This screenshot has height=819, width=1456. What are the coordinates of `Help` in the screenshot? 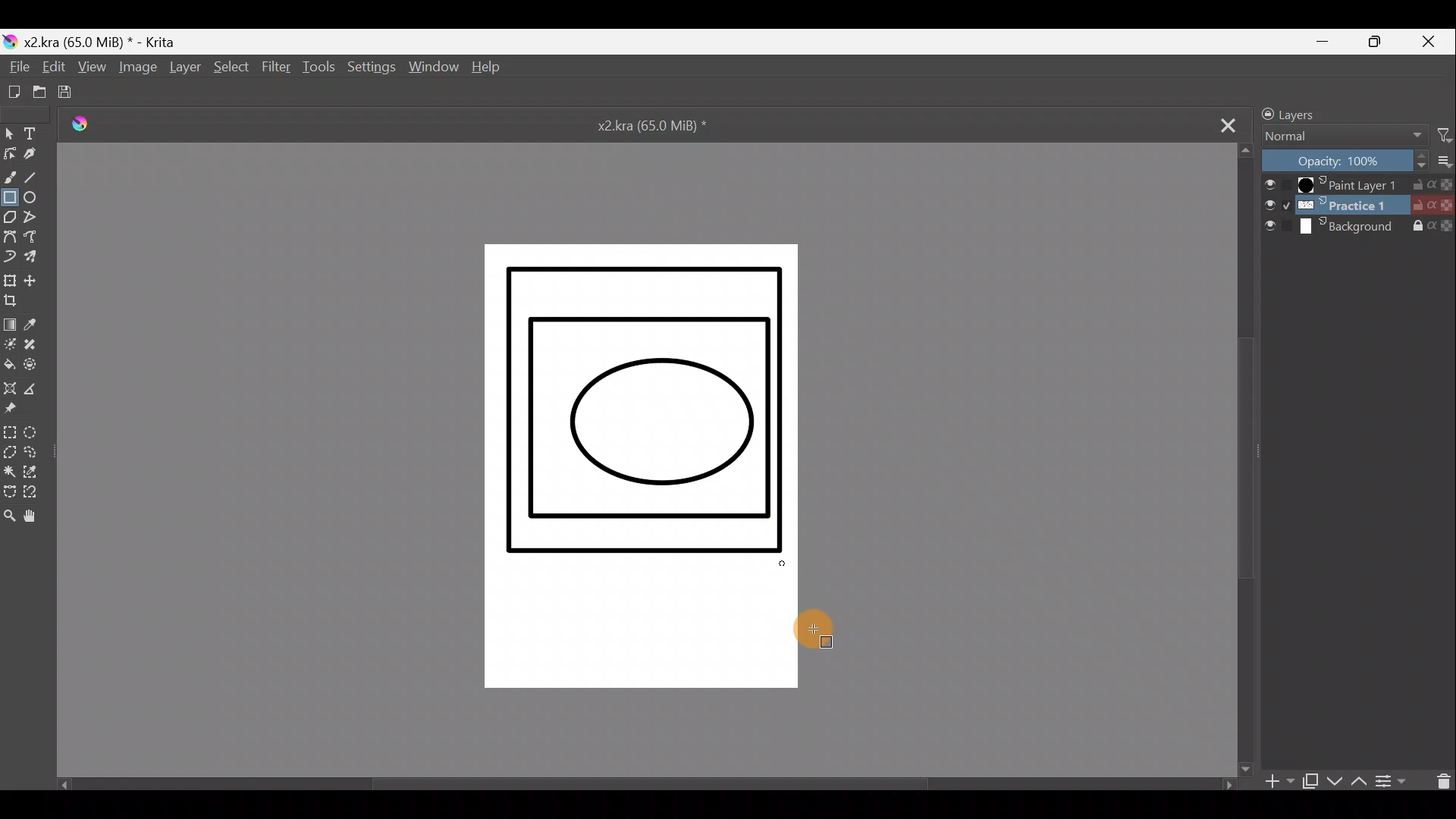 It's located at (493, 70).